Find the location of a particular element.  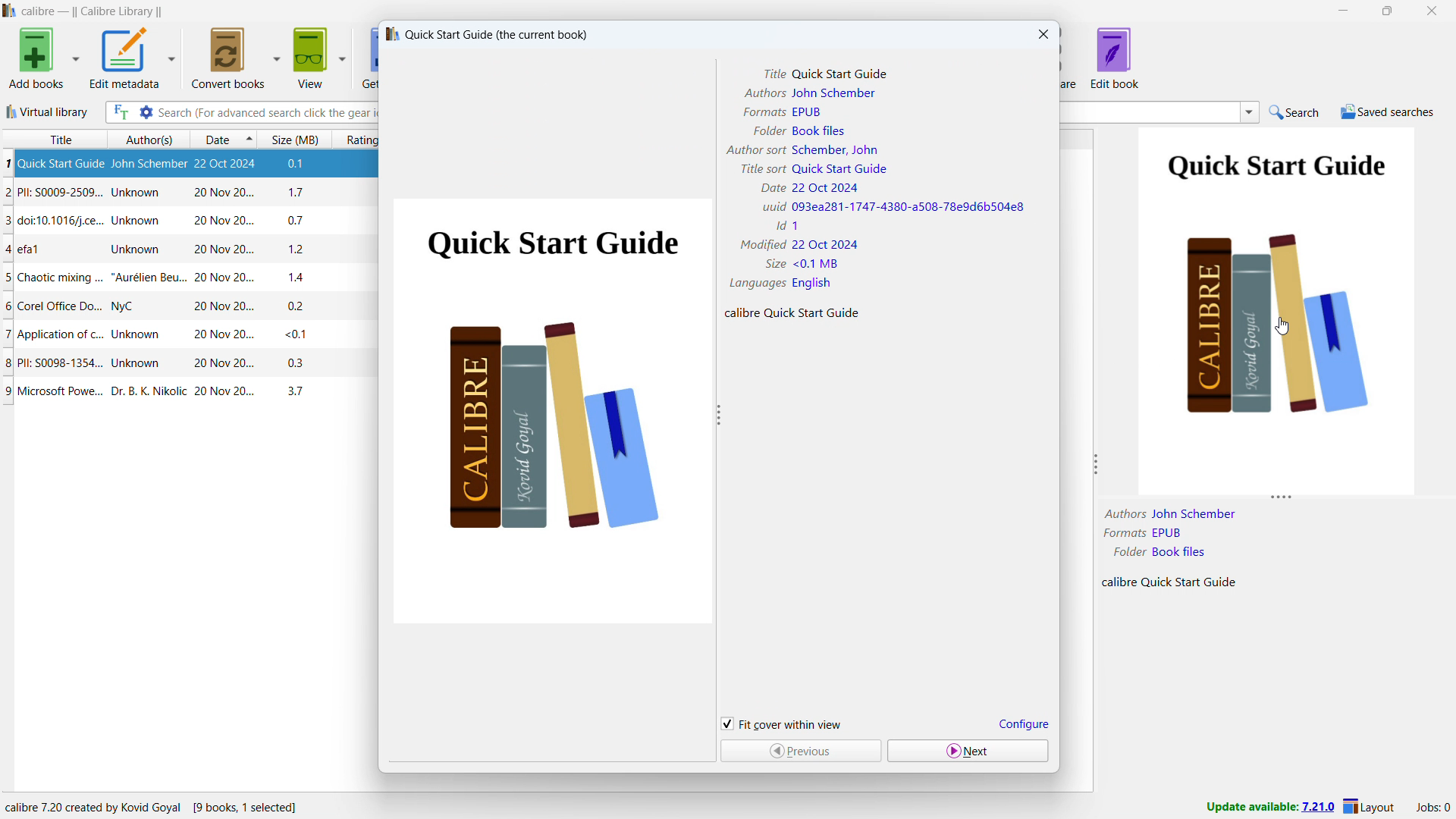

virtual library is located at coordinates (47, 111).